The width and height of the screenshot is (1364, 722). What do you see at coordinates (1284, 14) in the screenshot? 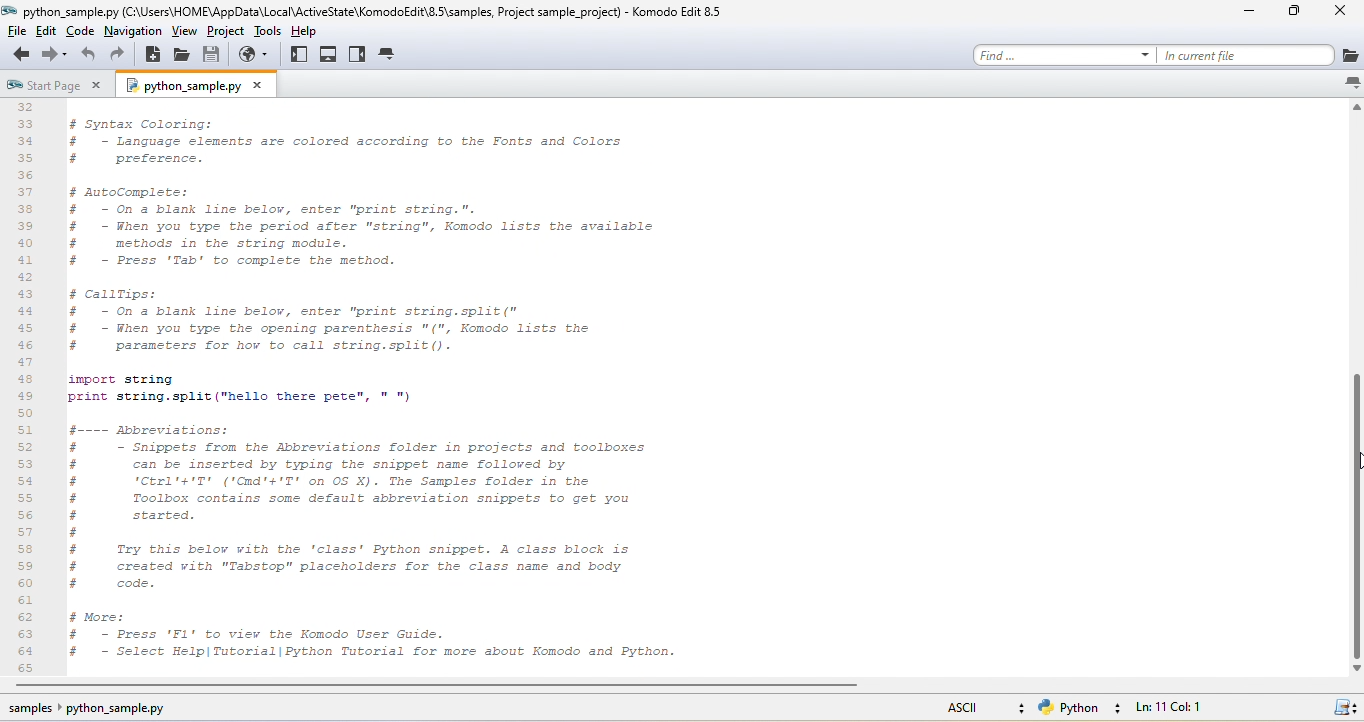
I see `maximize` at bounding box center [1284, 14].